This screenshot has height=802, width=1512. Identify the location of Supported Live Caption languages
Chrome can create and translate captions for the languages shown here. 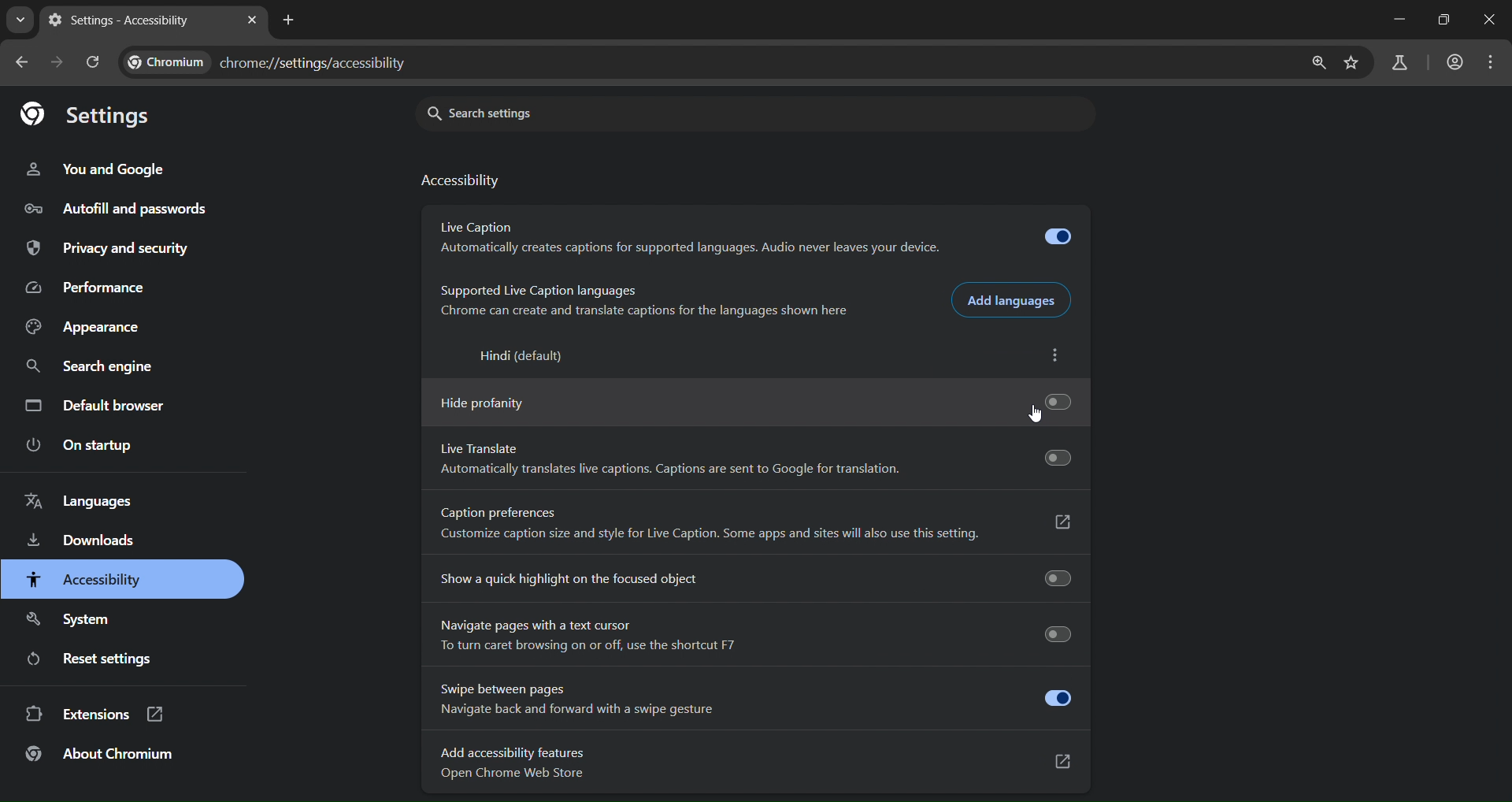
(641, 302).